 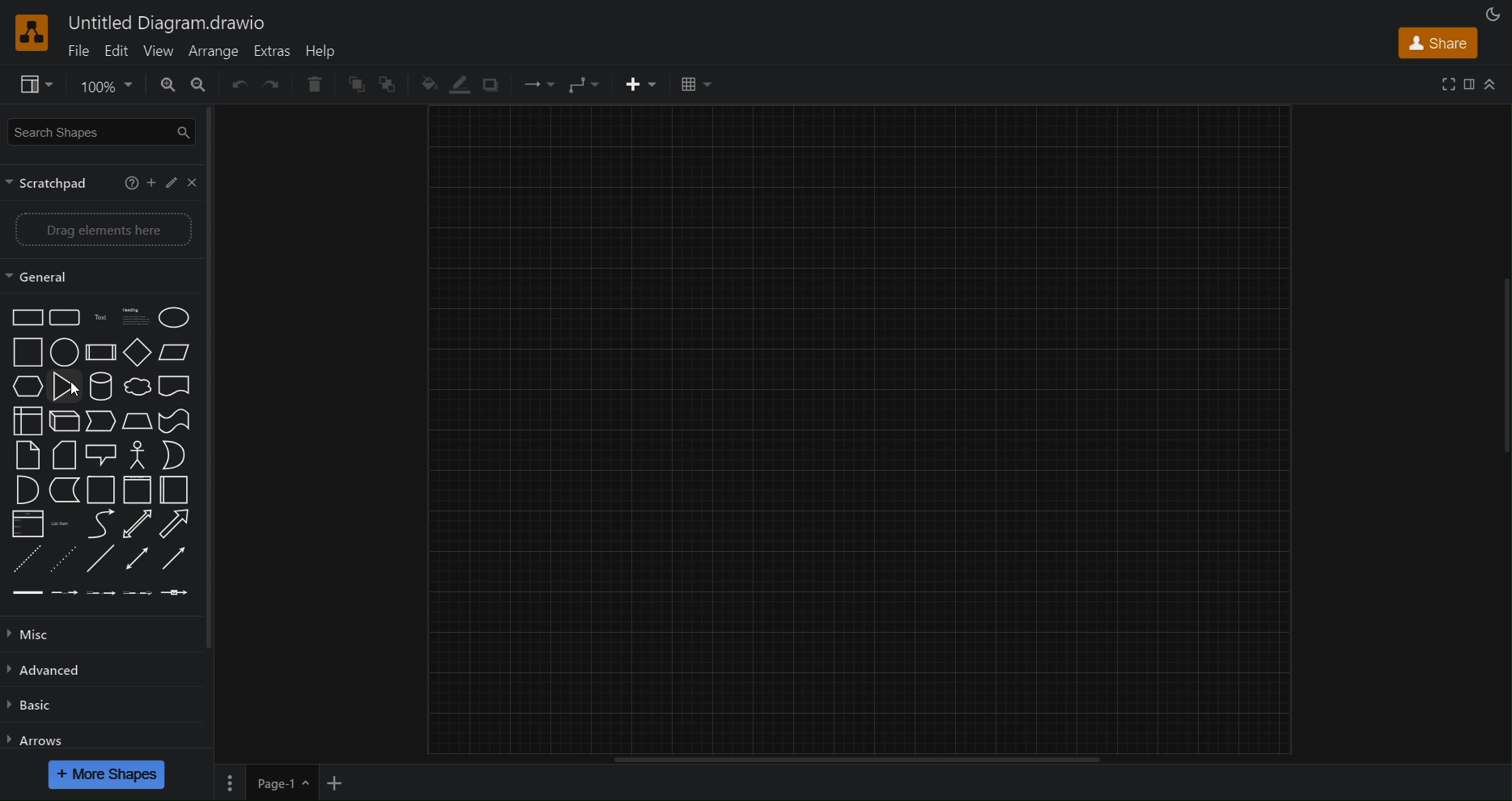 What do you see at coordinates (215, 50) in the screenshot?
I see `Arrange` at bounding box center [215, 50].